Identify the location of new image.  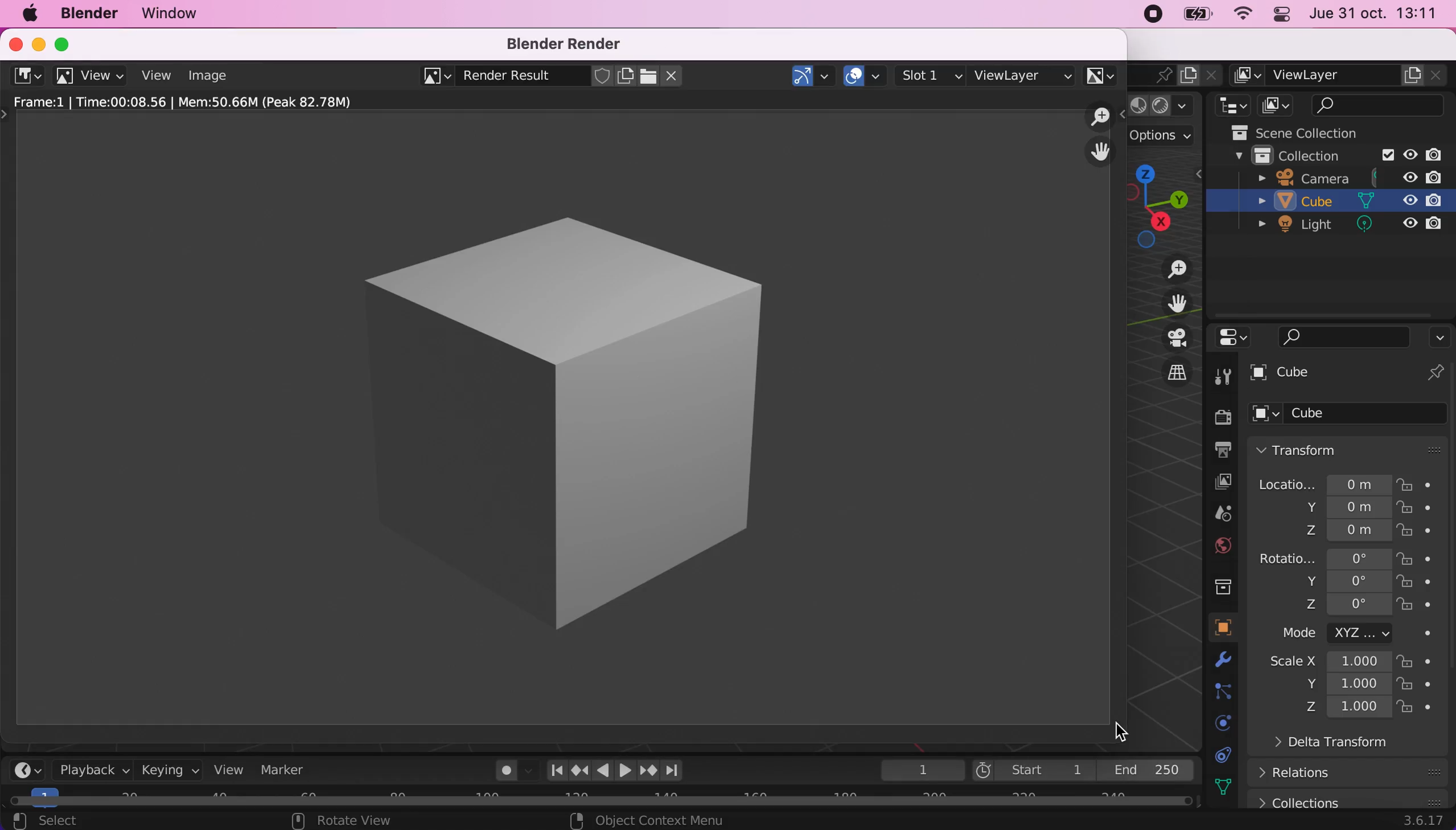
(626, 76).